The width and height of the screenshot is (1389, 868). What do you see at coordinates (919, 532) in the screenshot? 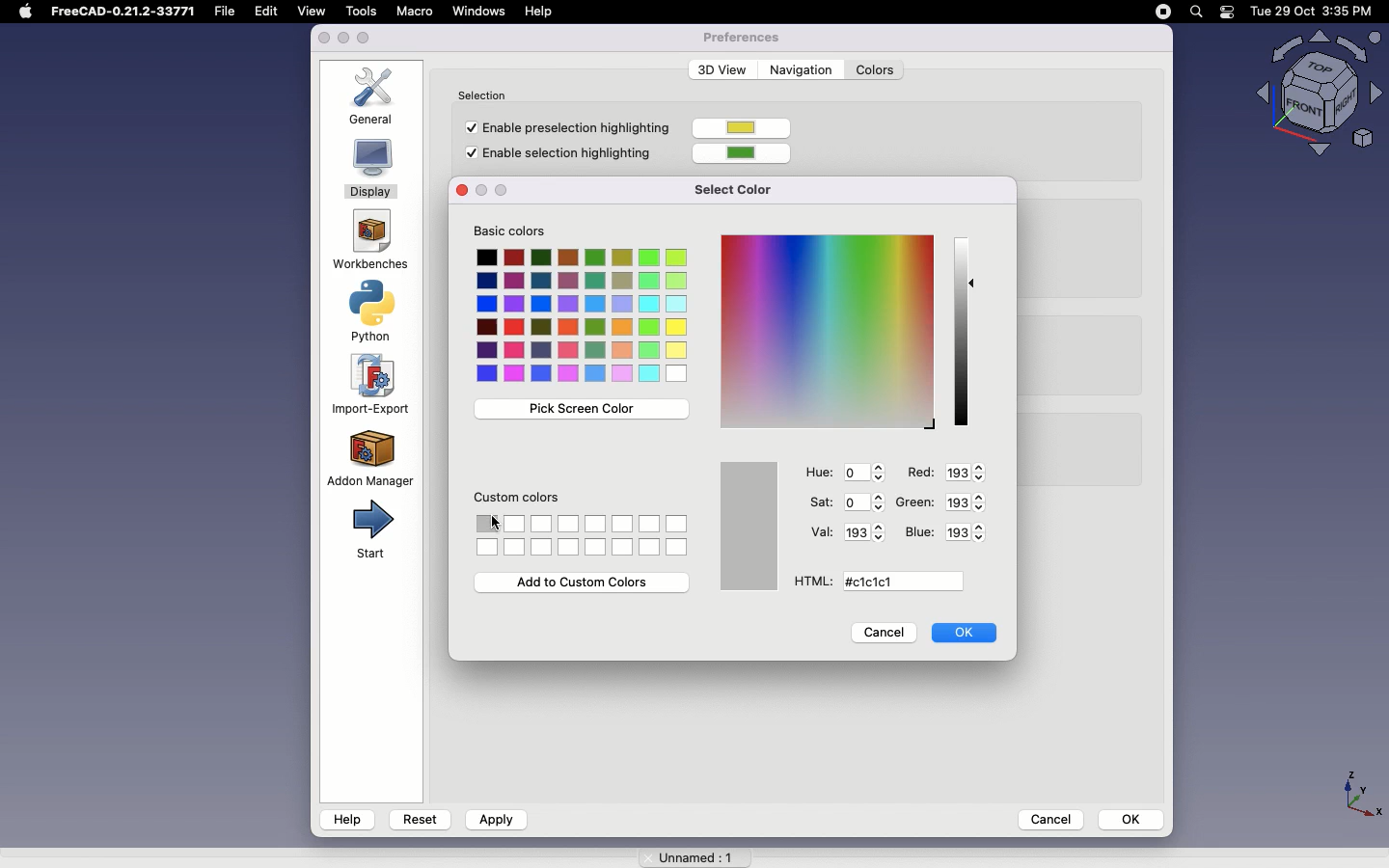
I see `Blue` at bounding box center [919, 532].